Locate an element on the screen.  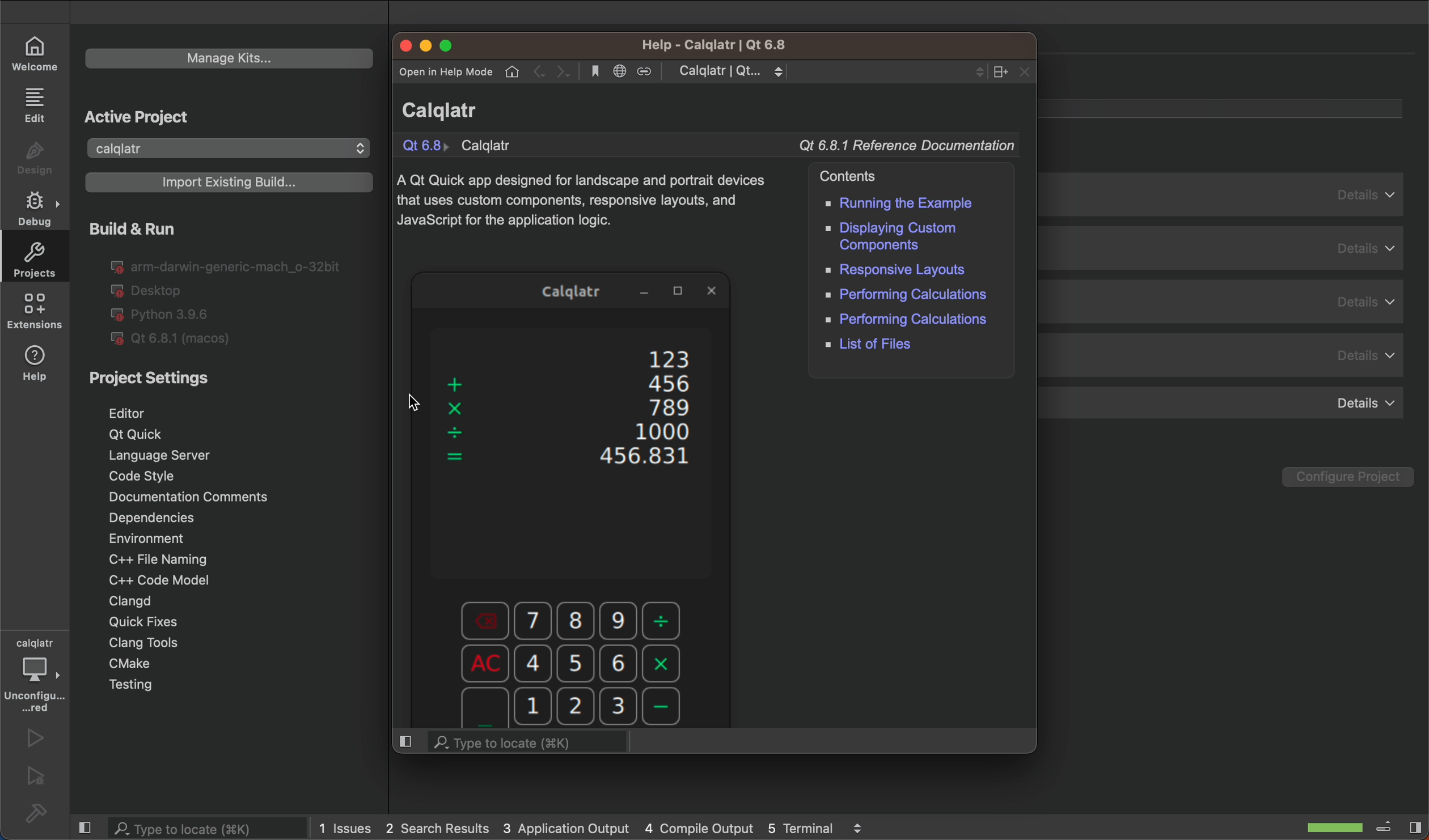
performing calculation is located at coordinates (913, 321).